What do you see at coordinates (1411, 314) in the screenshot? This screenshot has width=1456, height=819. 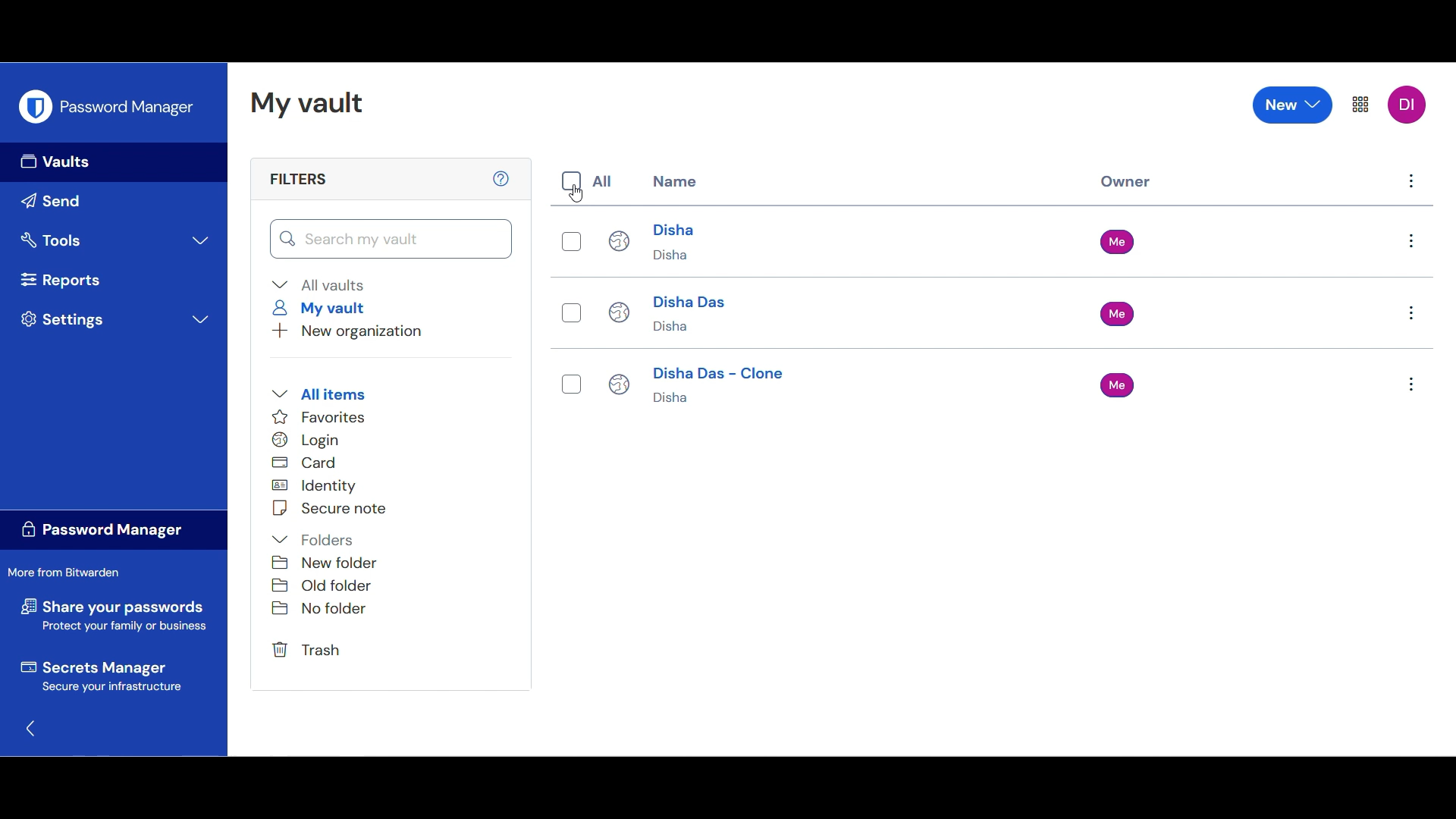 I see `Settings for each item respectively` at bounding box center [1411, 314].